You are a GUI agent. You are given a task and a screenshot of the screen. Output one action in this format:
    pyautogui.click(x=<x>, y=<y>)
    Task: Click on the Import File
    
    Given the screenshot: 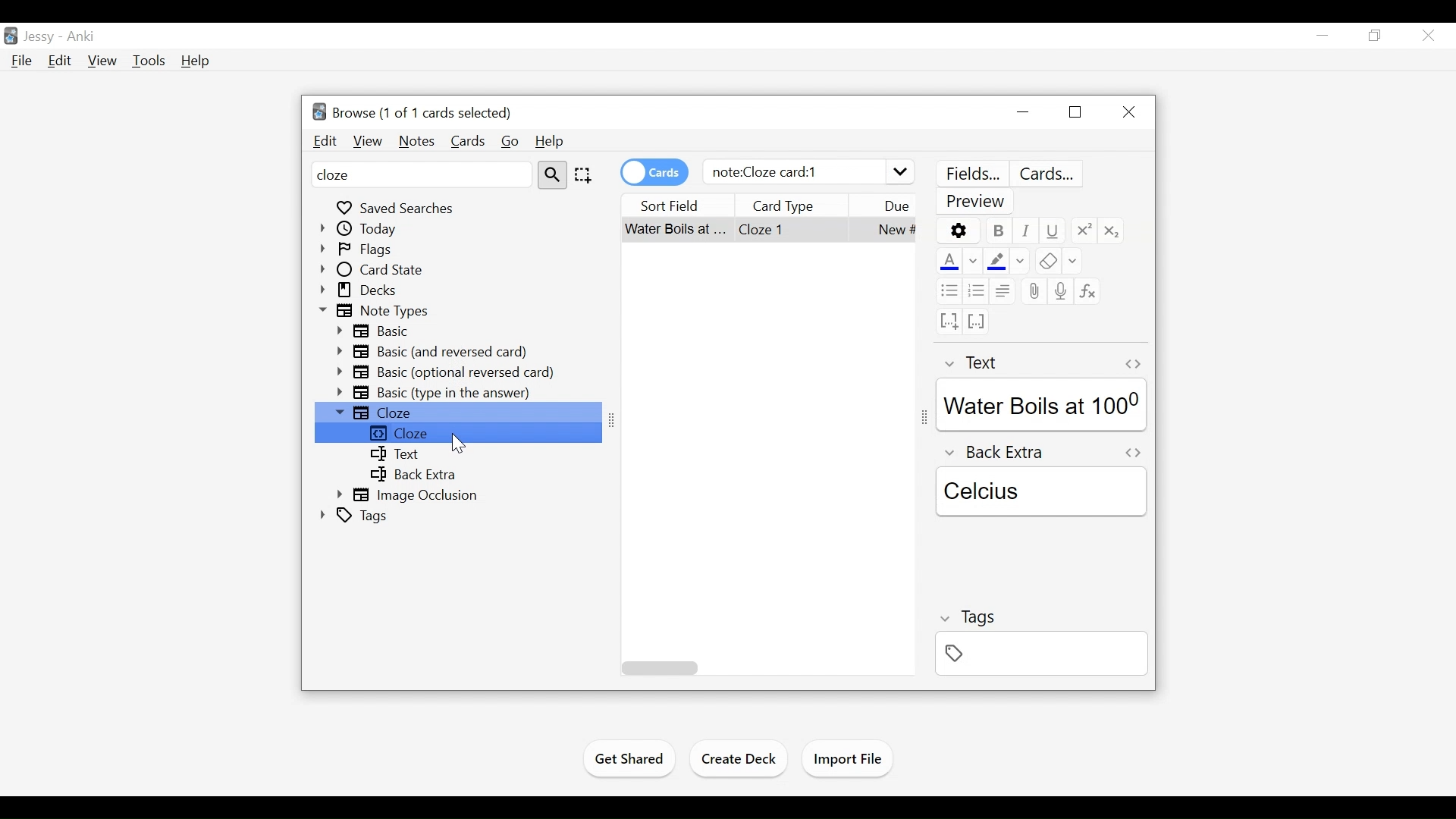 What is the action you would take?
    pyautogui.click(x=852, y=760)
    